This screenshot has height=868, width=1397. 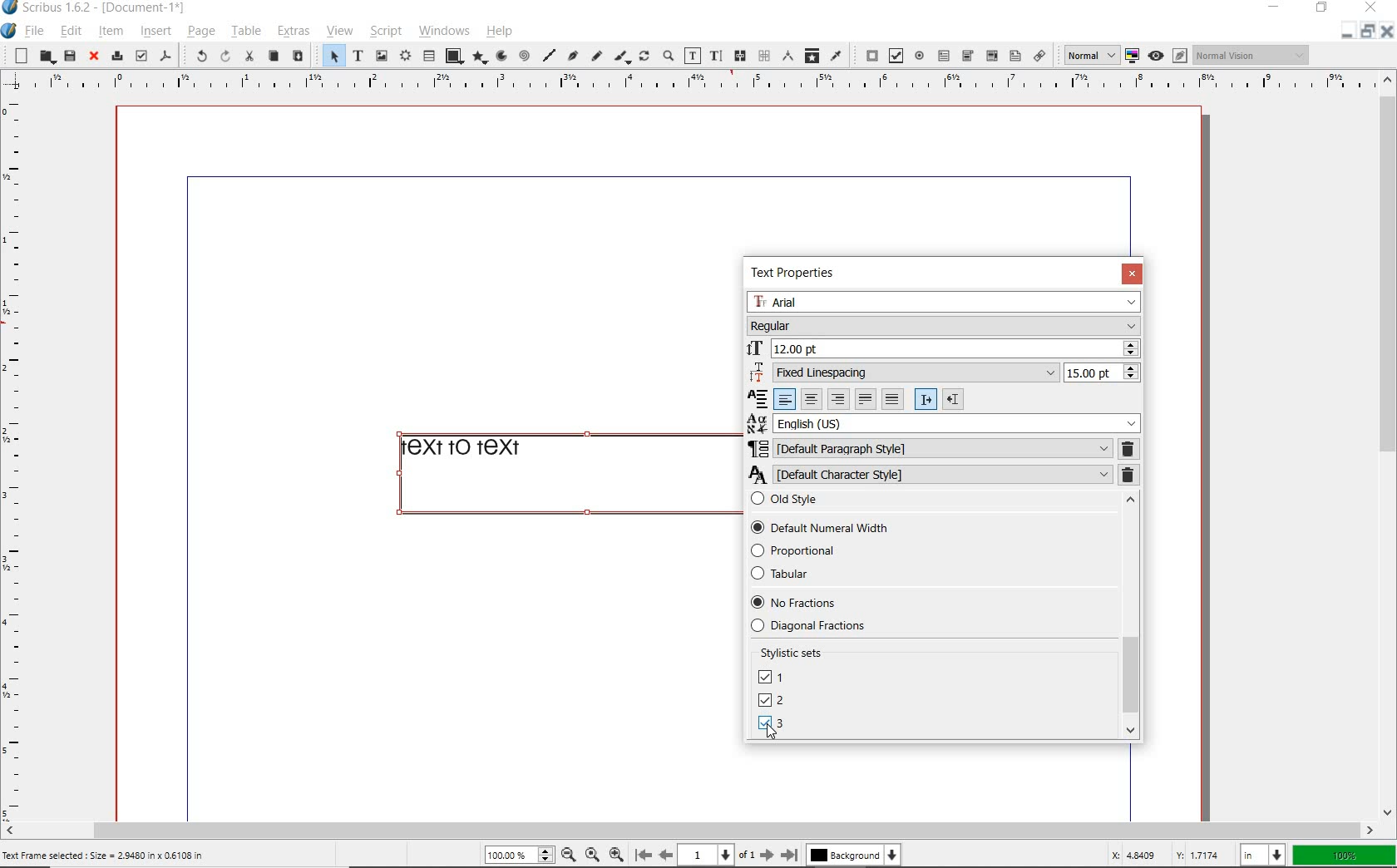 What do you see at coordinates (942, 349) in the screenshot?
I see `12.00 pt` at bounding box center [942, 349].